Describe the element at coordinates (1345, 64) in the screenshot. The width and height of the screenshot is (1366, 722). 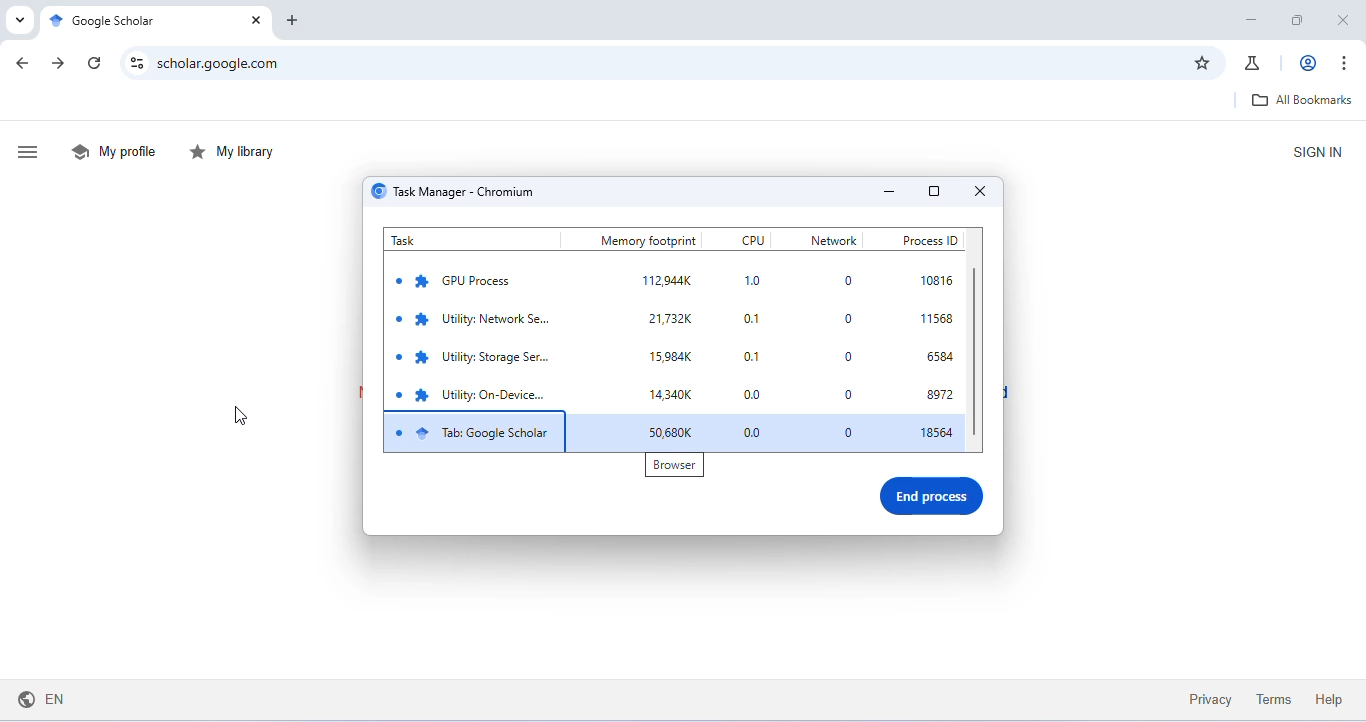
I see `customize or control chromium` at that location.